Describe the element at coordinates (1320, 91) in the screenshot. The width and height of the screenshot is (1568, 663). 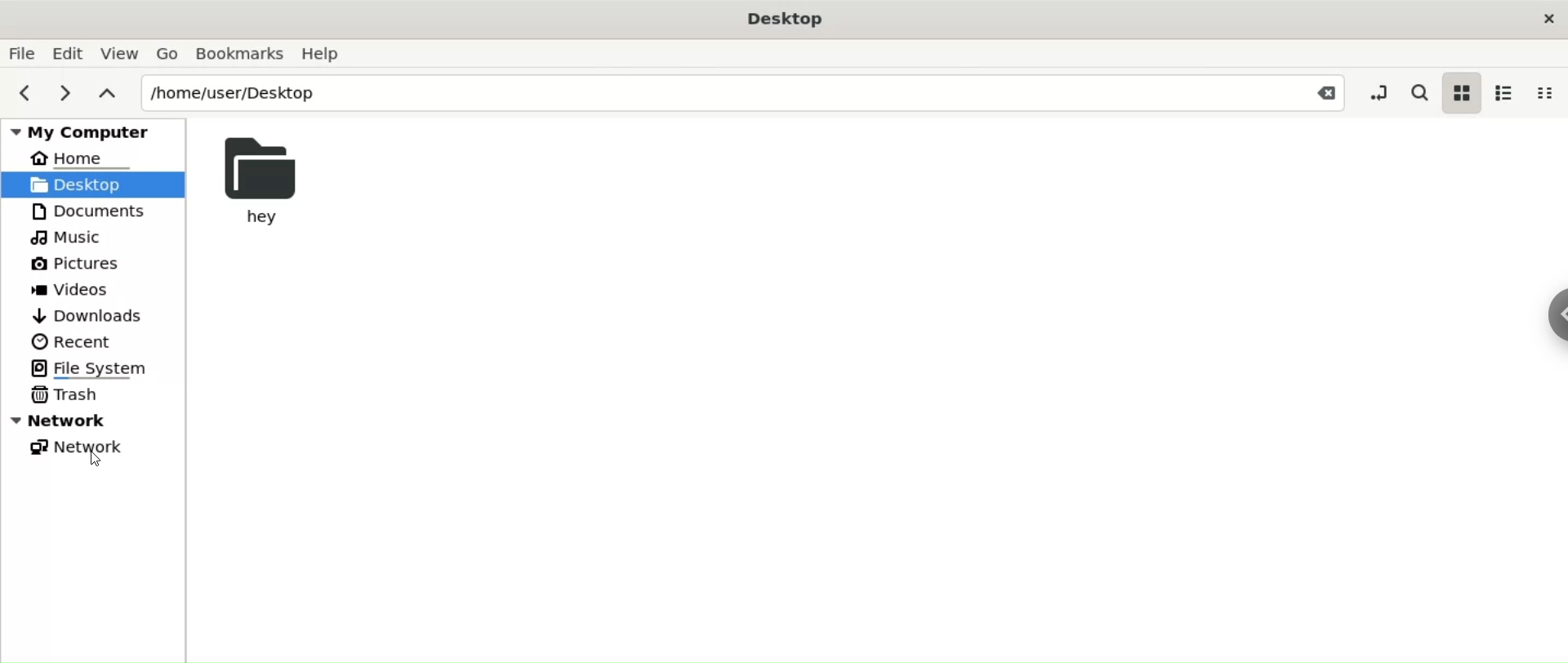
I see `Close` at that location.